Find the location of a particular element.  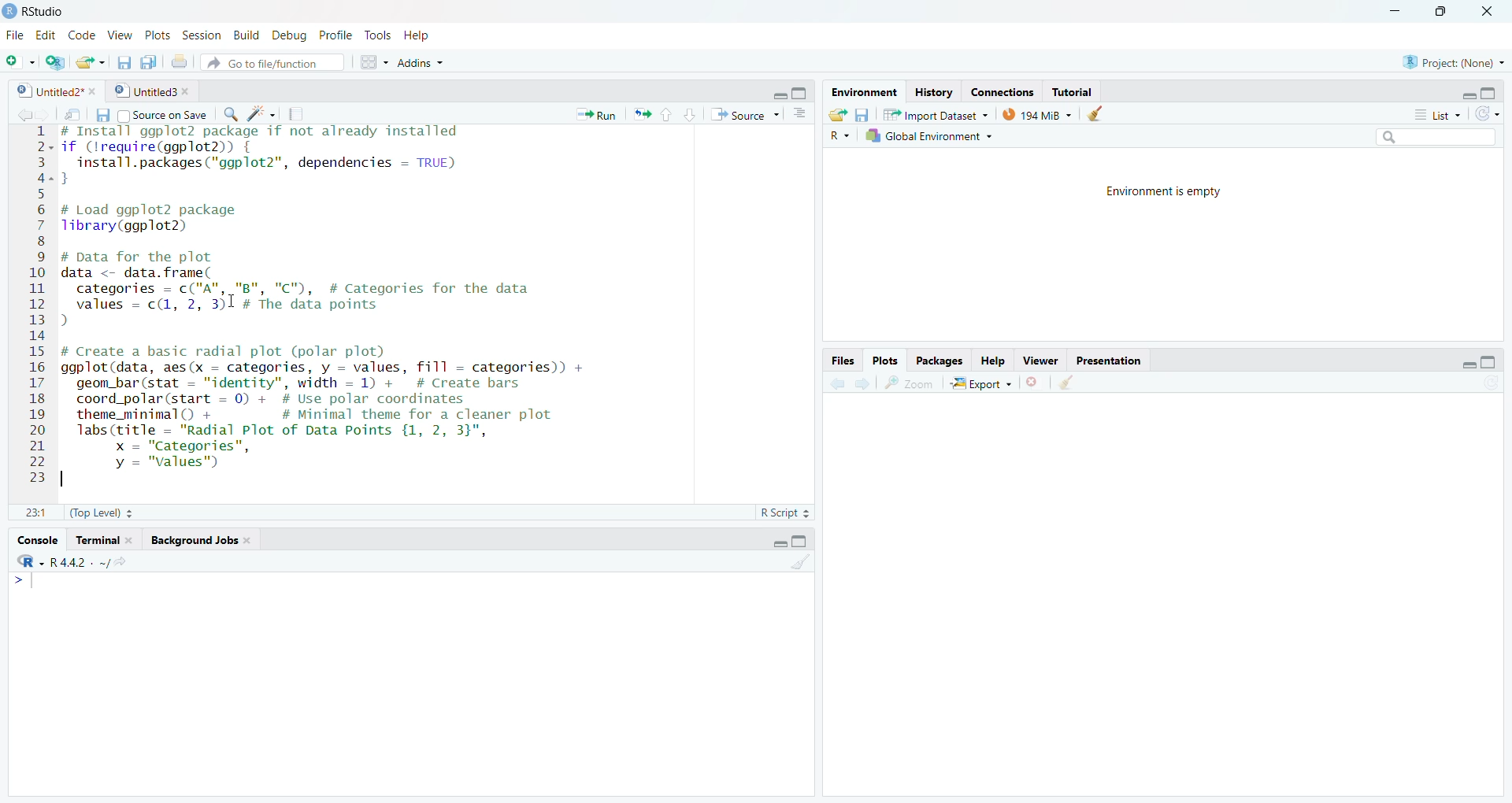

Arrow is located at coordinates (18, 583).